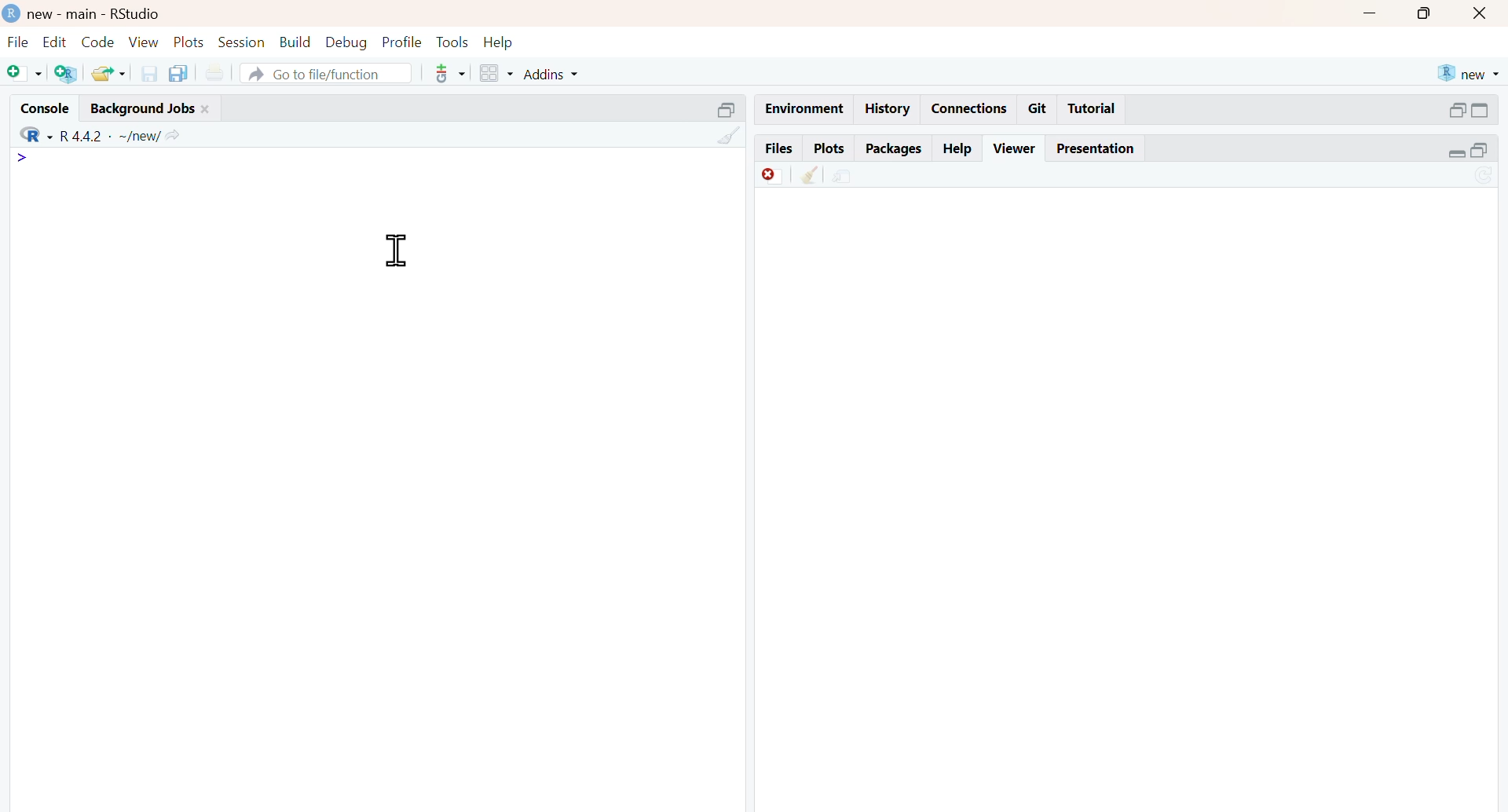 Image resolution: width=1508 pixels, height=812 pixels. I want to click on add file as, so click(26, 74).